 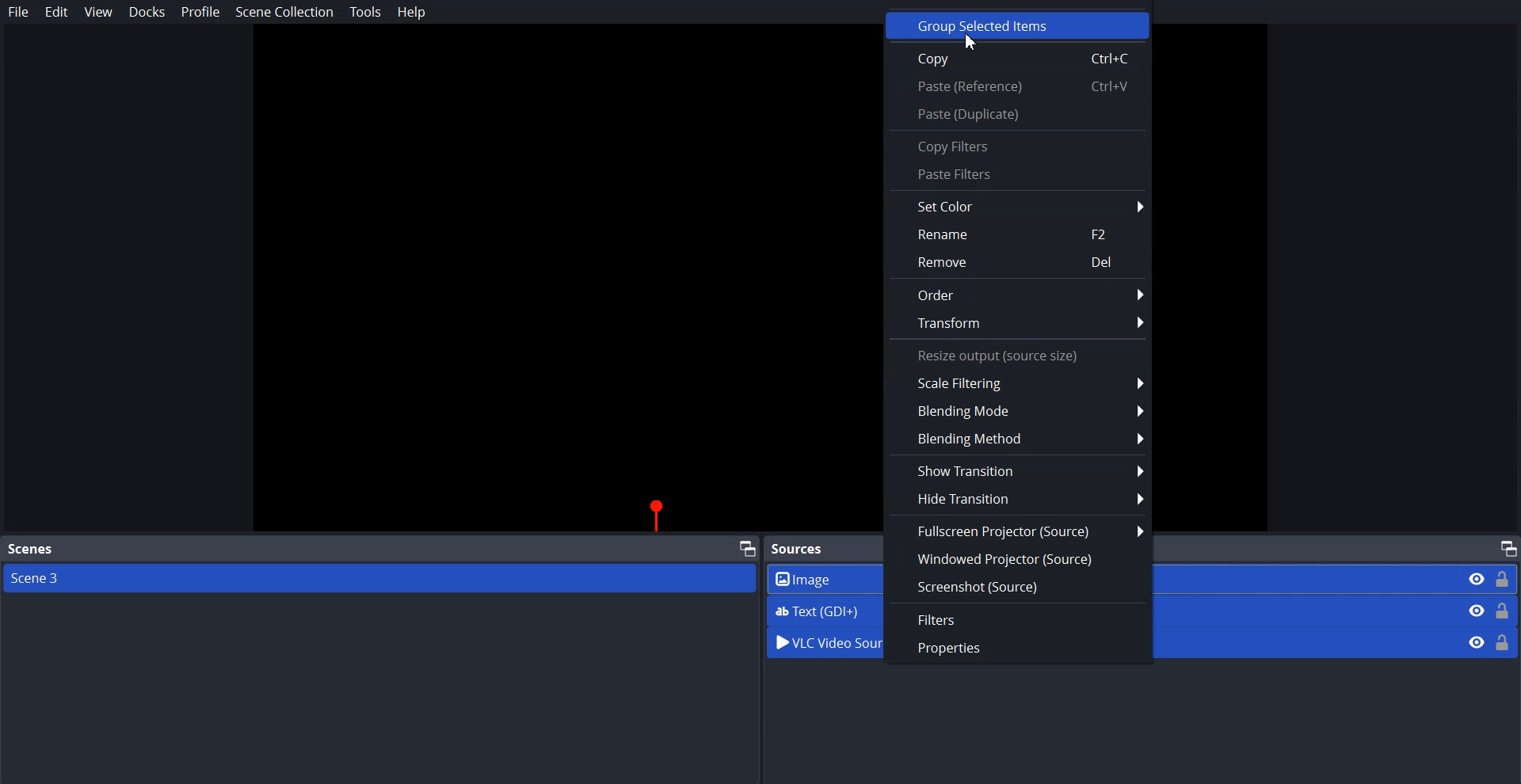 What do you see at coordinates (19, 12) in the screenshot?
I see `File` at bounding box center [19, 12].